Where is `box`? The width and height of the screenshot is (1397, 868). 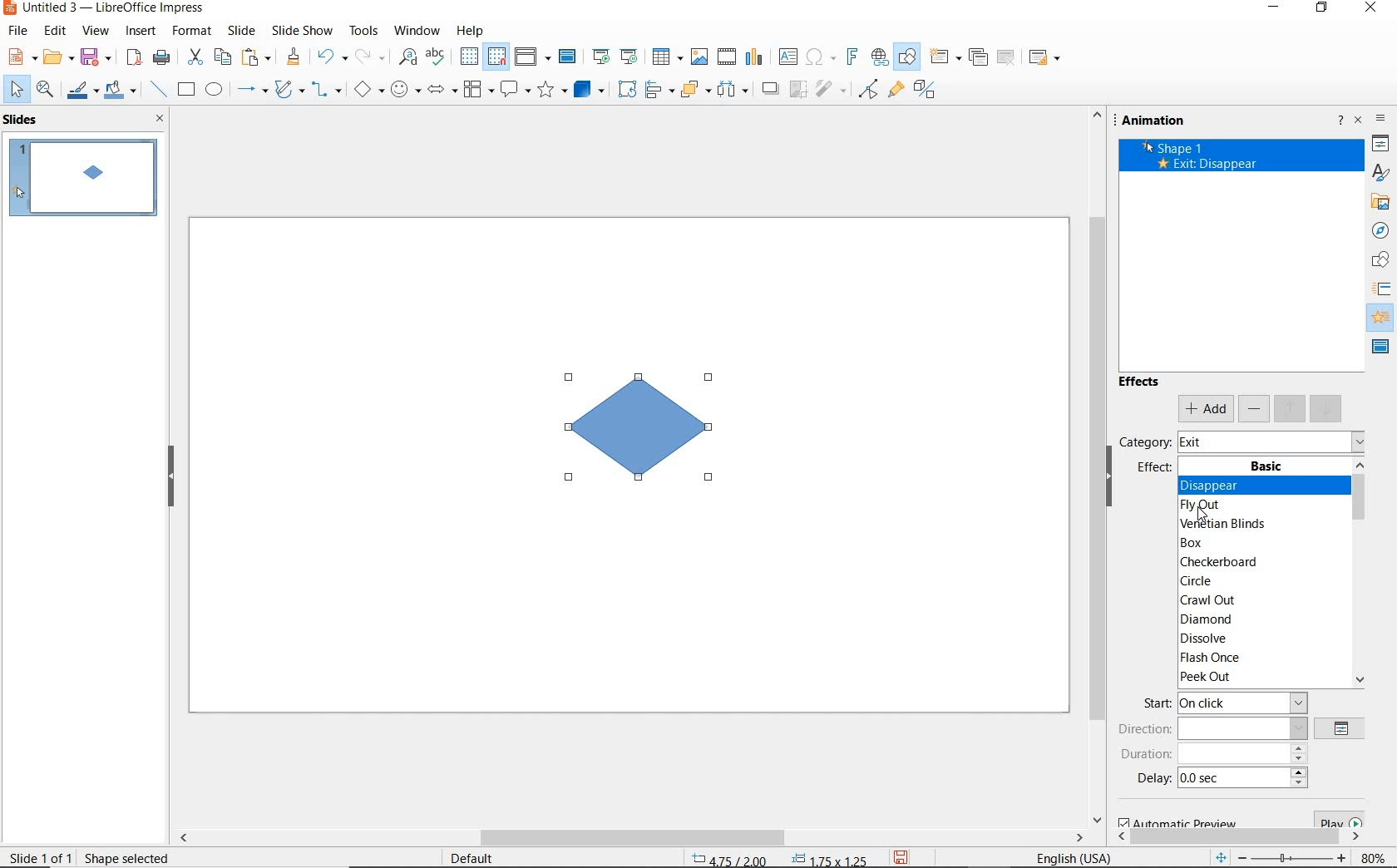
box is located at coordinates (1256, 545).